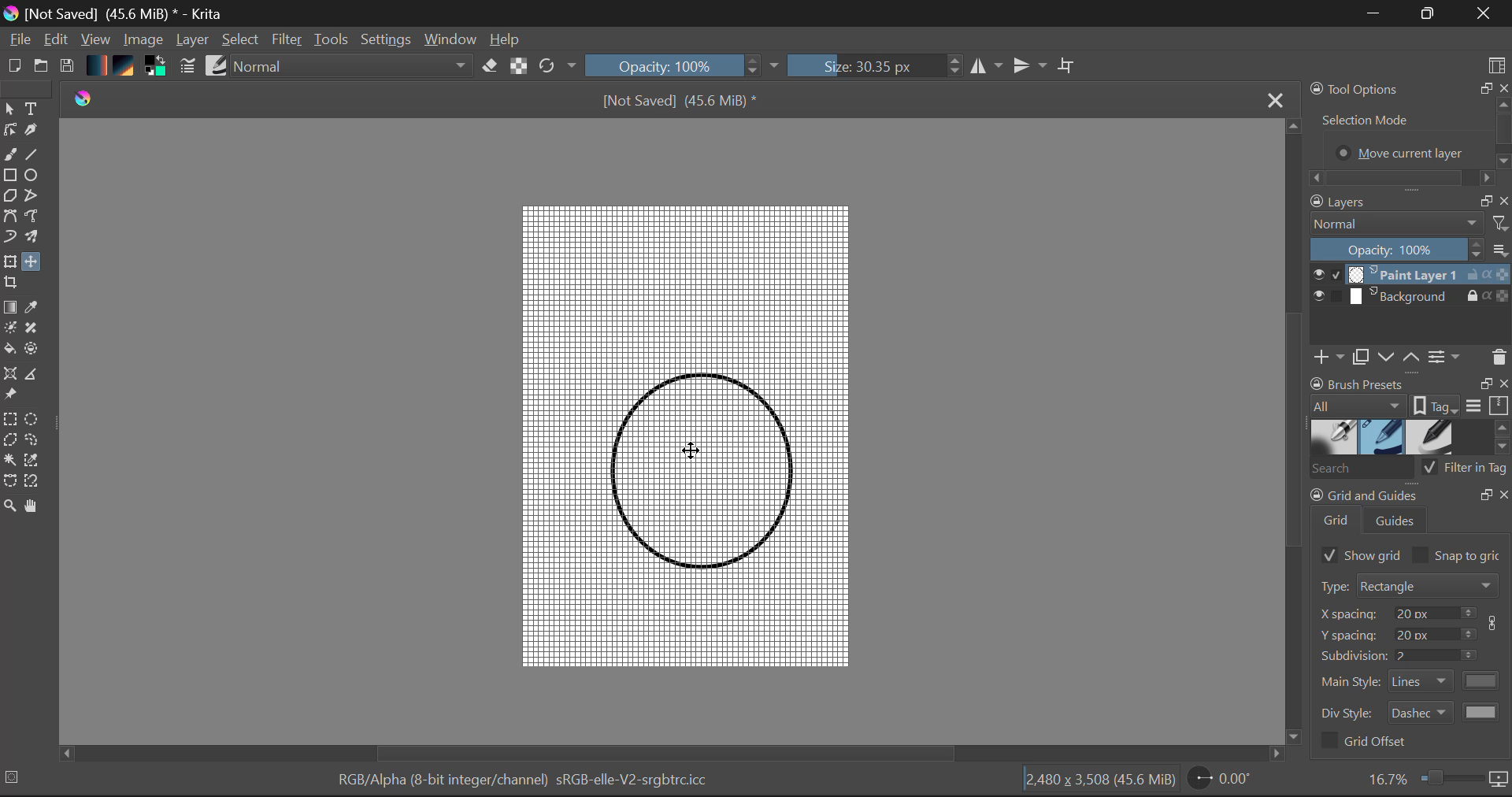 This screenshot has height=797, width=1512. What do you see at coordinates (35, 462) in the screenshot?
I see `Similar Color Selector` at bounding box center [35, 462].